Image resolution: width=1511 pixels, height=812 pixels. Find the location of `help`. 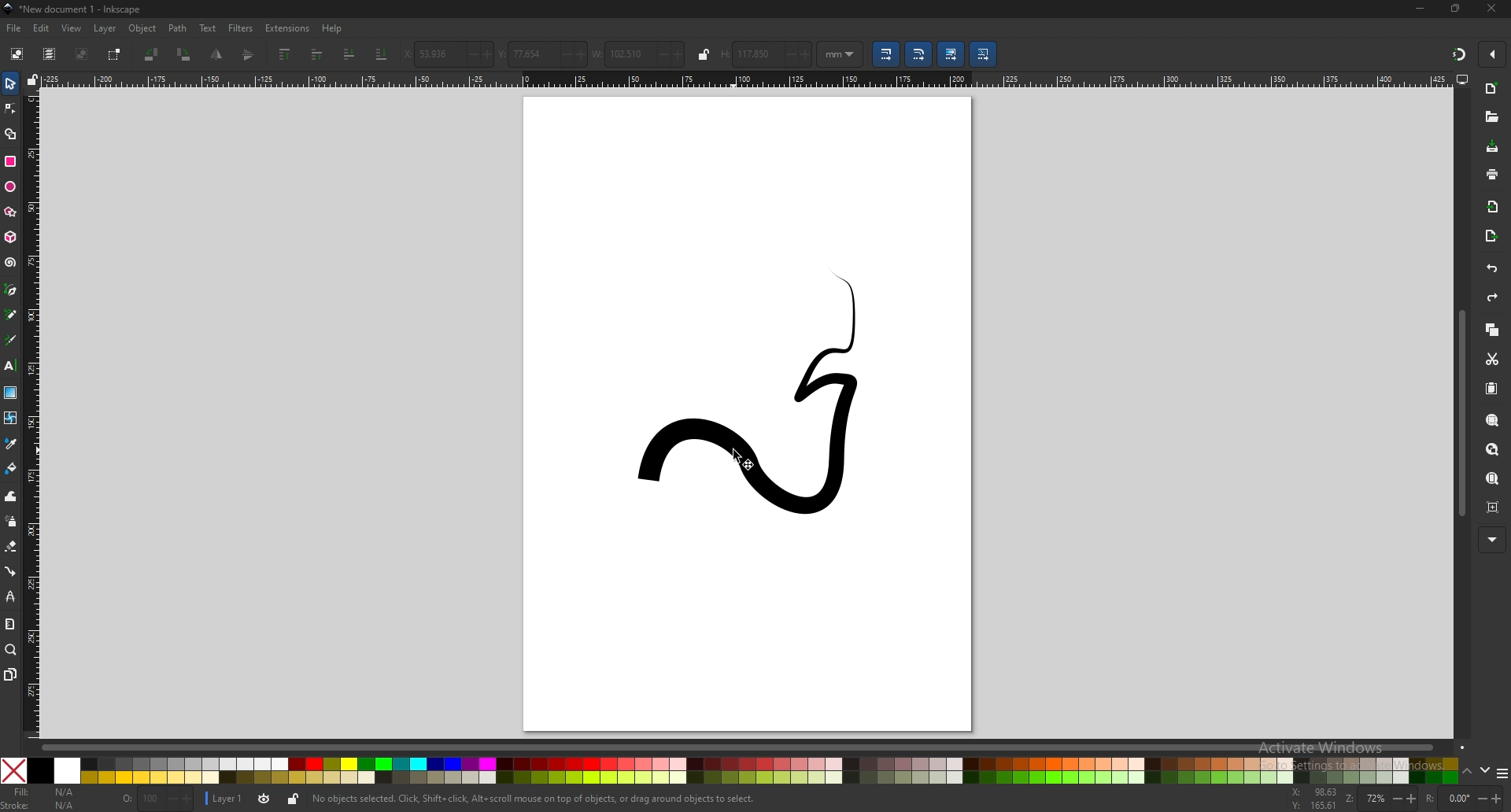

help is located at coordinates (332, 30).